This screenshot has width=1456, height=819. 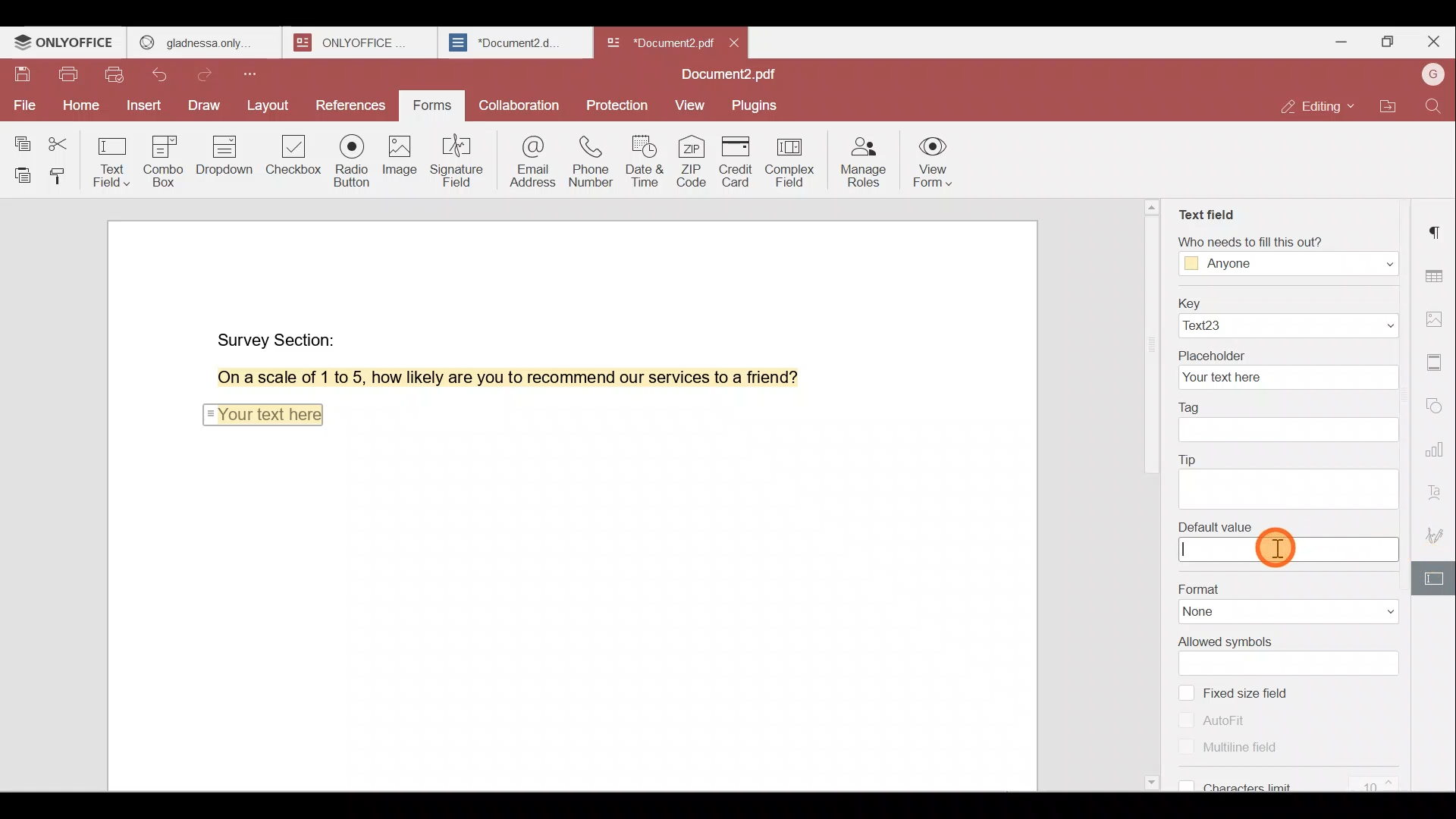 I want to click on Signature field, so click(x=454, y=160).